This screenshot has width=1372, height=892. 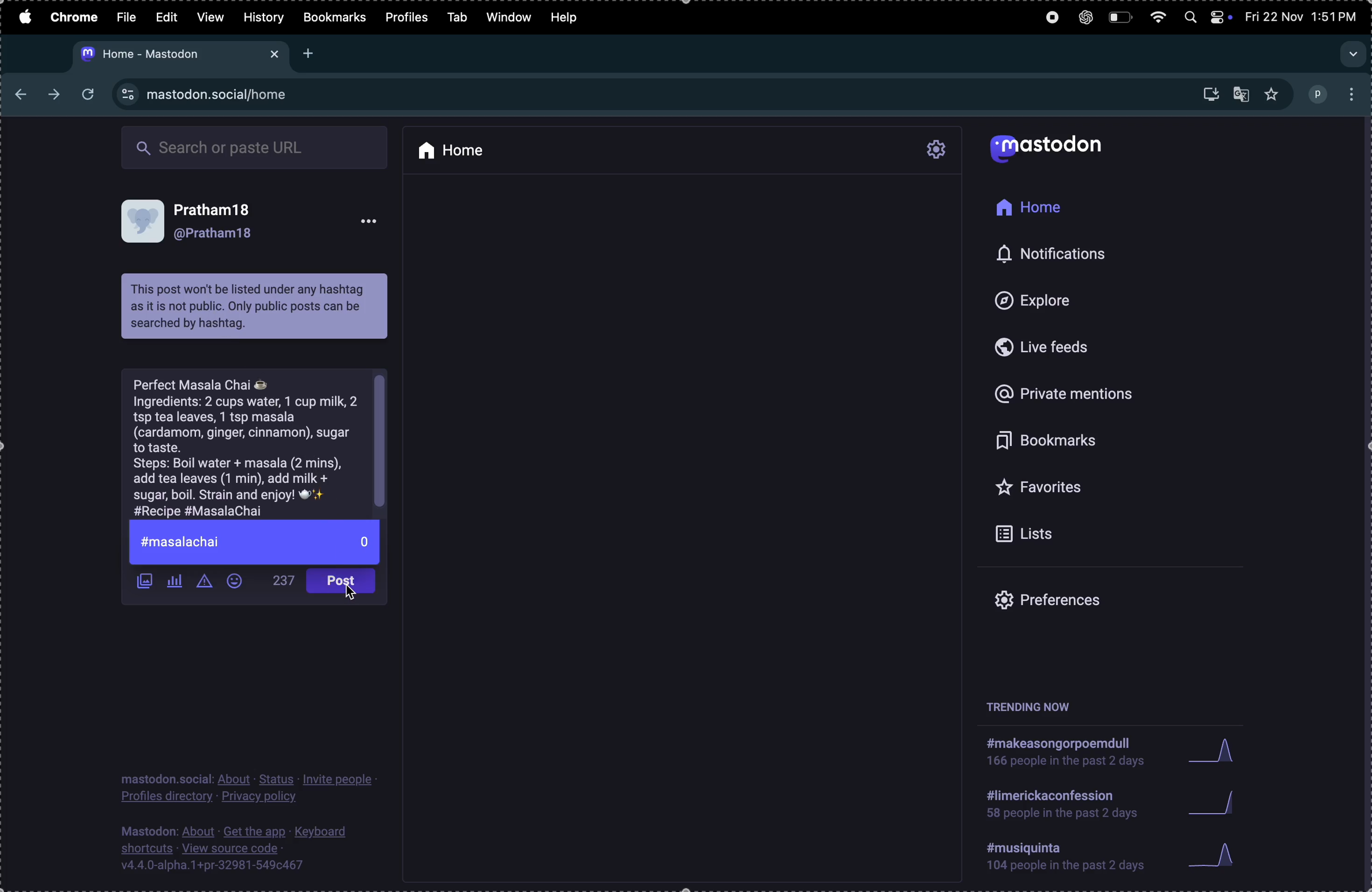 What do you see at coordinates (259, 447) in the screenshot?
I see `chai recipe` at bounding box center [259, 447].